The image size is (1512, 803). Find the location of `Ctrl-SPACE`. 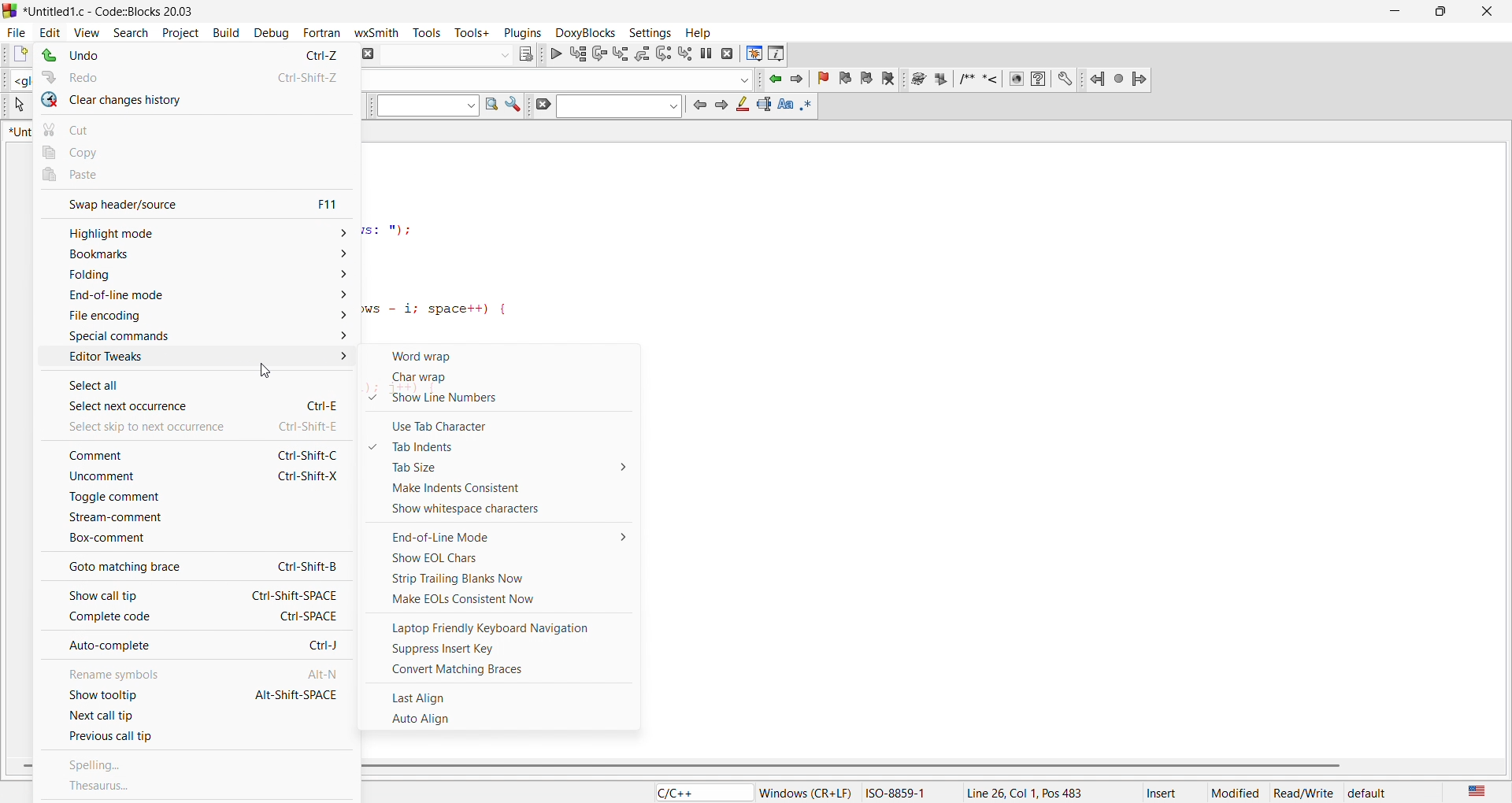

Ctrl-SPACE is located at coordinates (313, 616).